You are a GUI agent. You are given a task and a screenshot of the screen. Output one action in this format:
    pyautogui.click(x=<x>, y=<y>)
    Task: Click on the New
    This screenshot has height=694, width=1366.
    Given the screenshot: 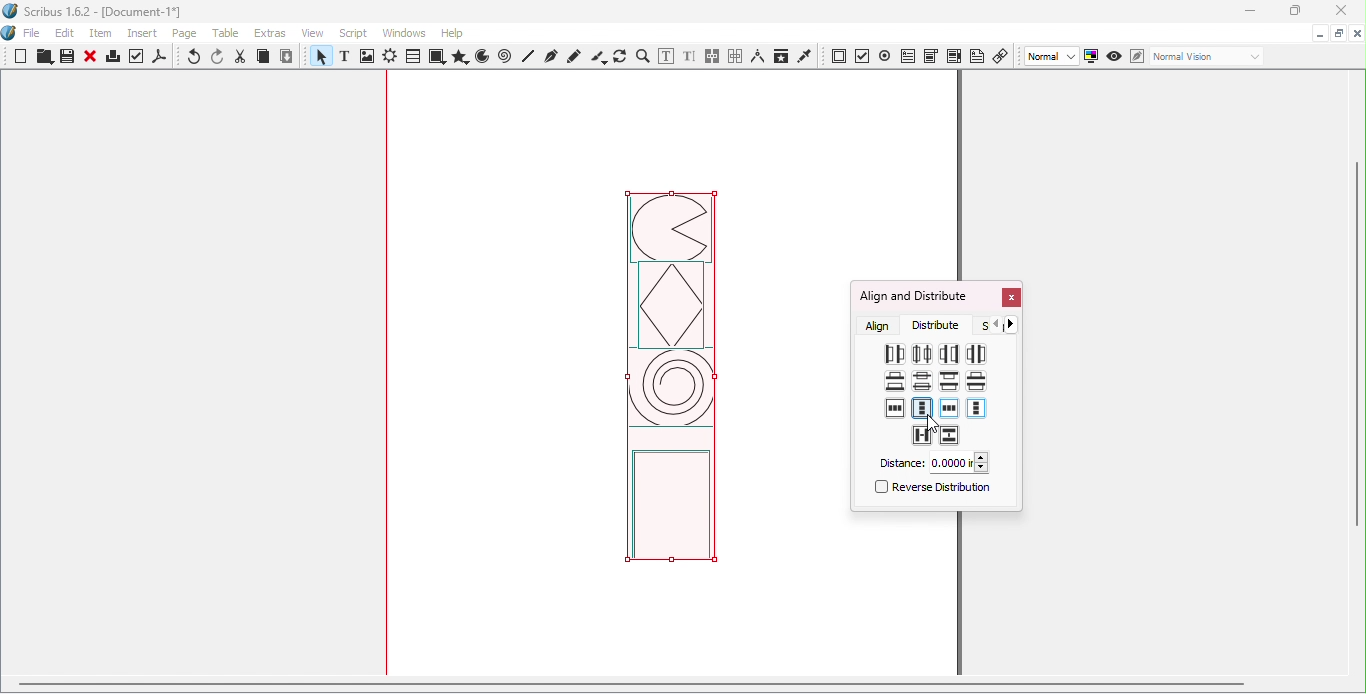 What is the action you would take?
    pyautogui.click(x=21, y=56)
    